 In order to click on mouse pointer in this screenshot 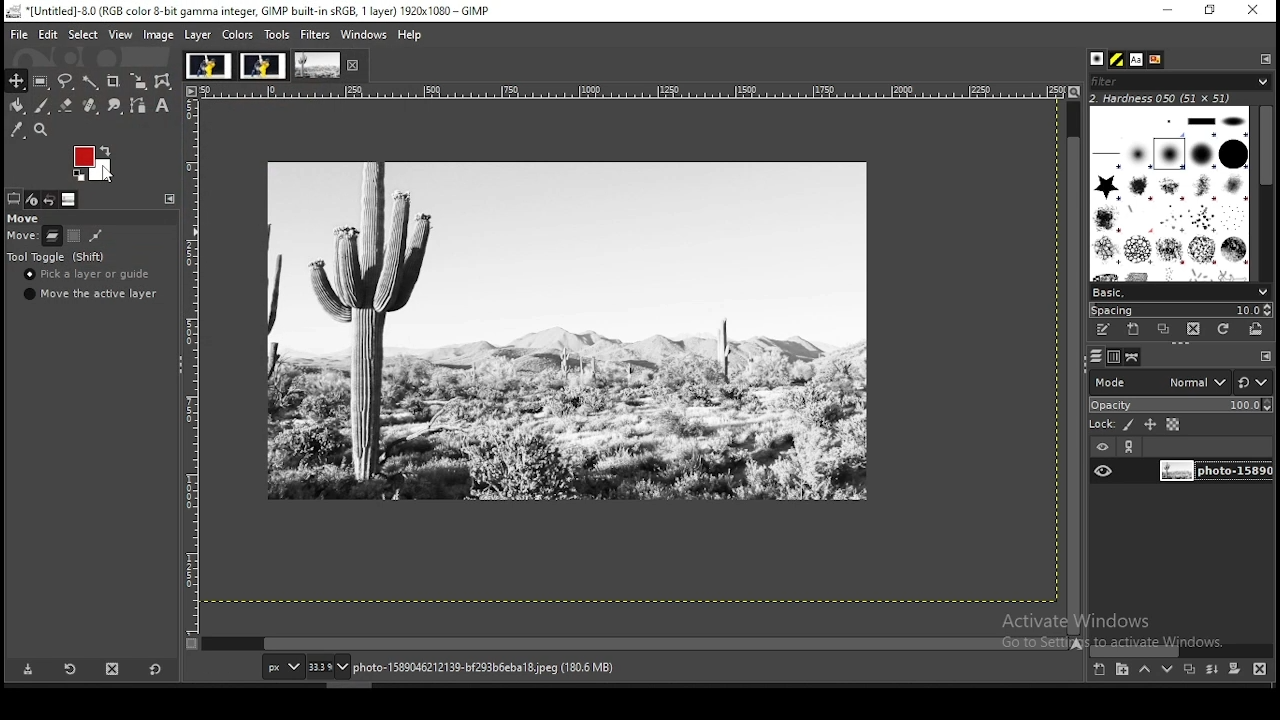, I will do `click(107, 170)`.